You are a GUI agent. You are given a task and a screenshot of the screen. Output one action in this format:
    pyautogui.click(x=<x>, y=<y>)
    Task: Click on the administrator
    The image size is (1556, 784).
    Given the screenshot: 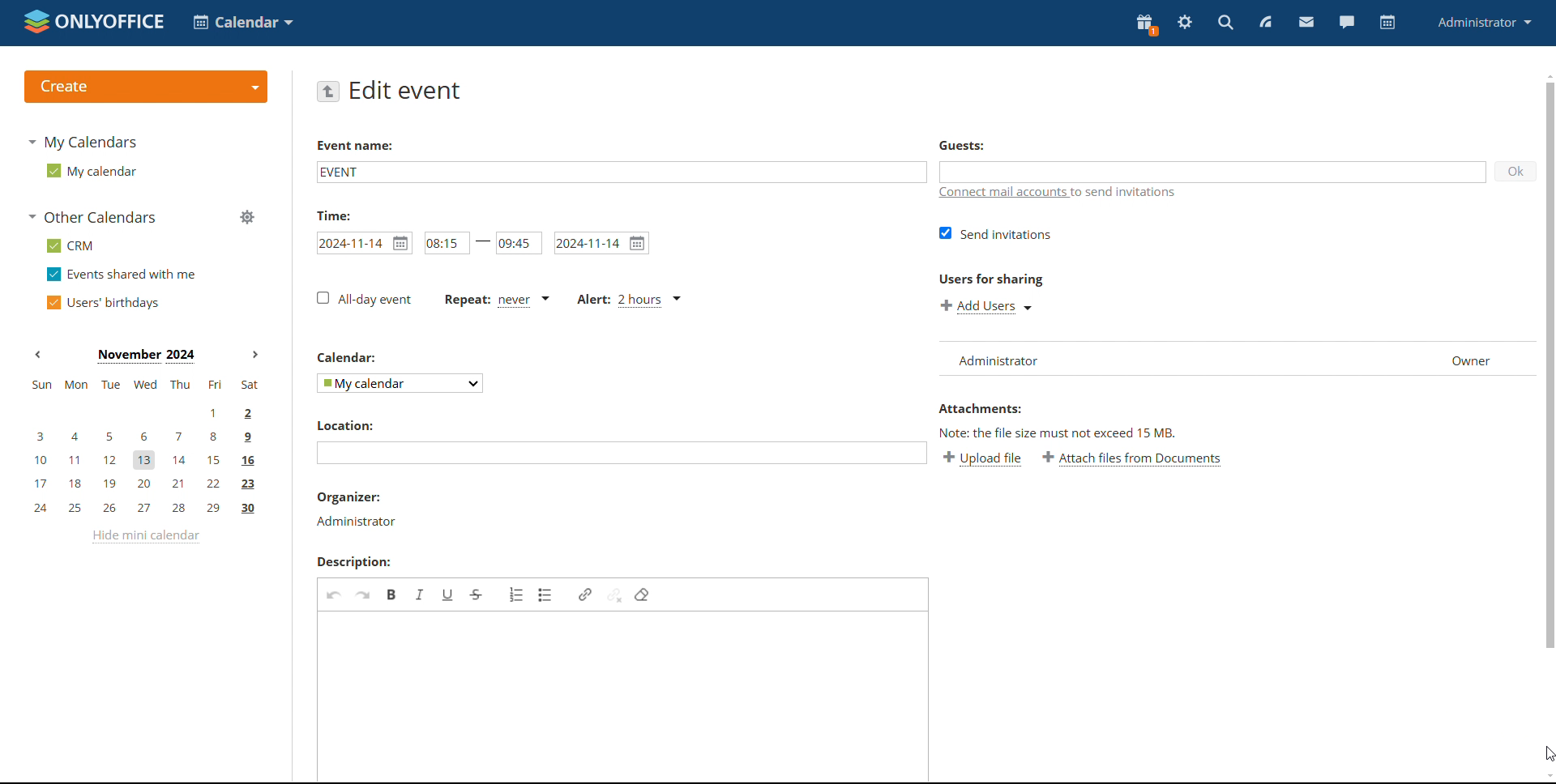 What is the action you would take?
    pyautogui.click(x=1483, y=21)
    